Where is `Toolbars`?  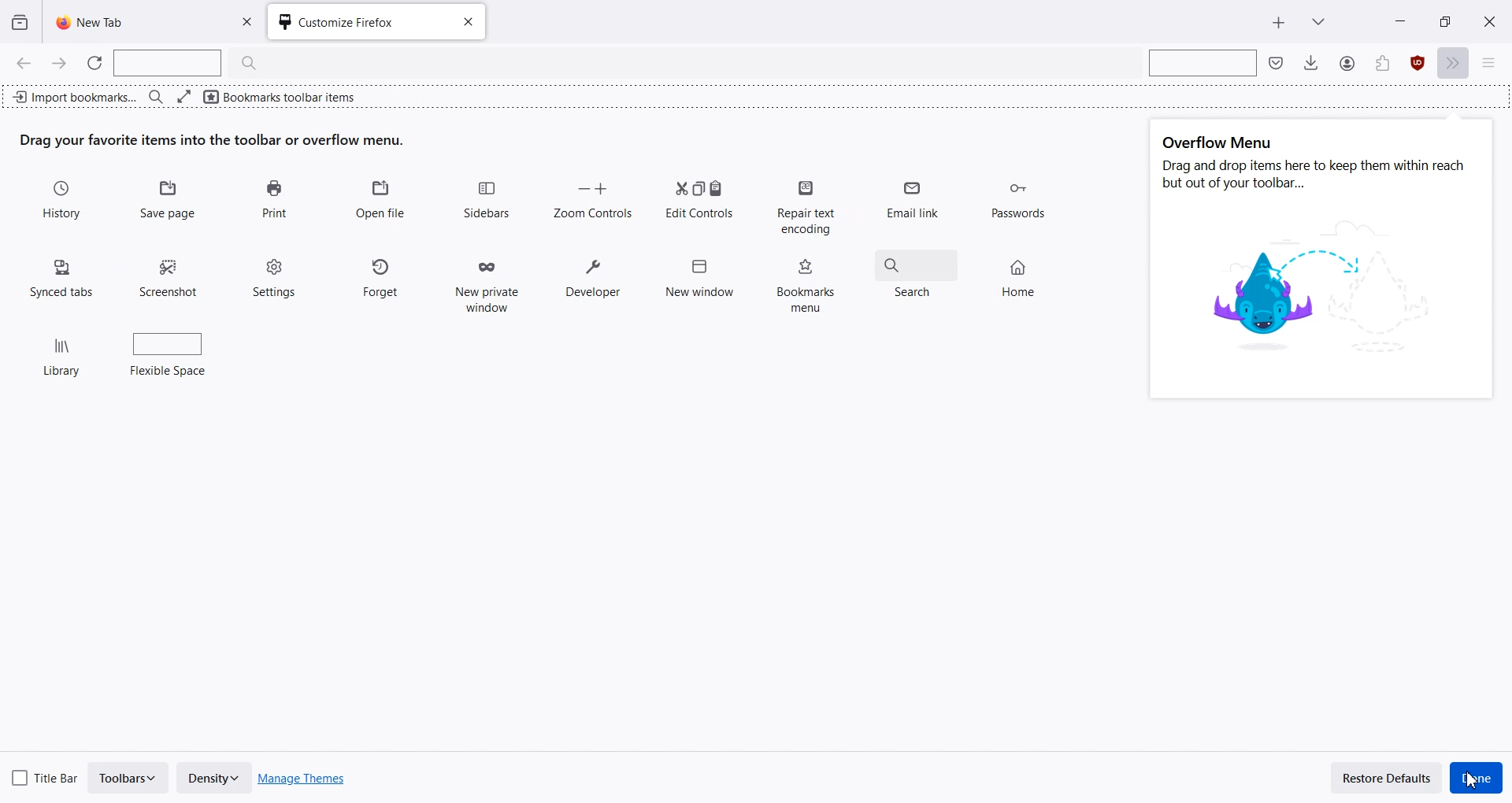 Toolbars is located at coordinates (129, 778).